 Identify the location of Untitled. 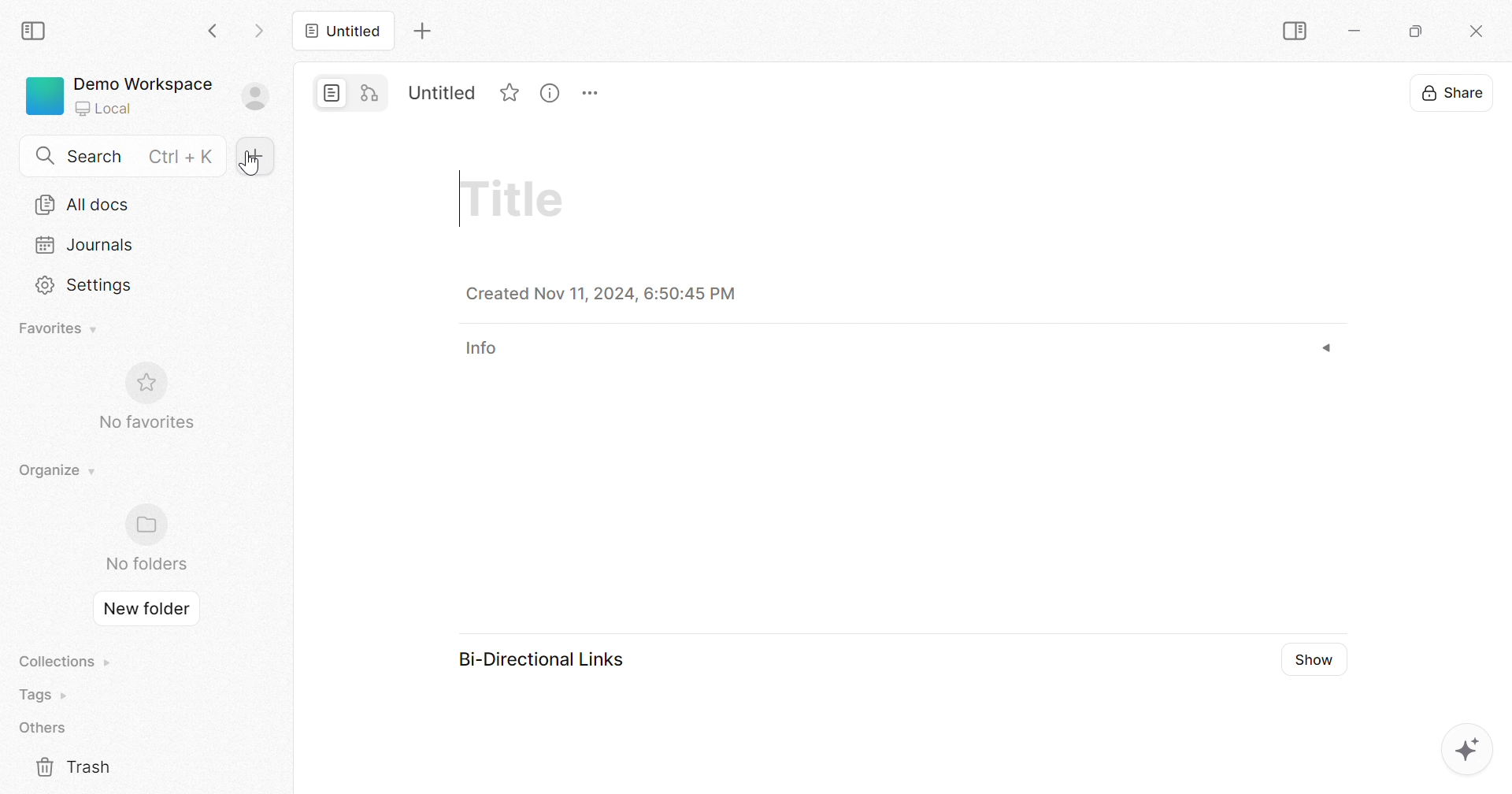
(343, 32).